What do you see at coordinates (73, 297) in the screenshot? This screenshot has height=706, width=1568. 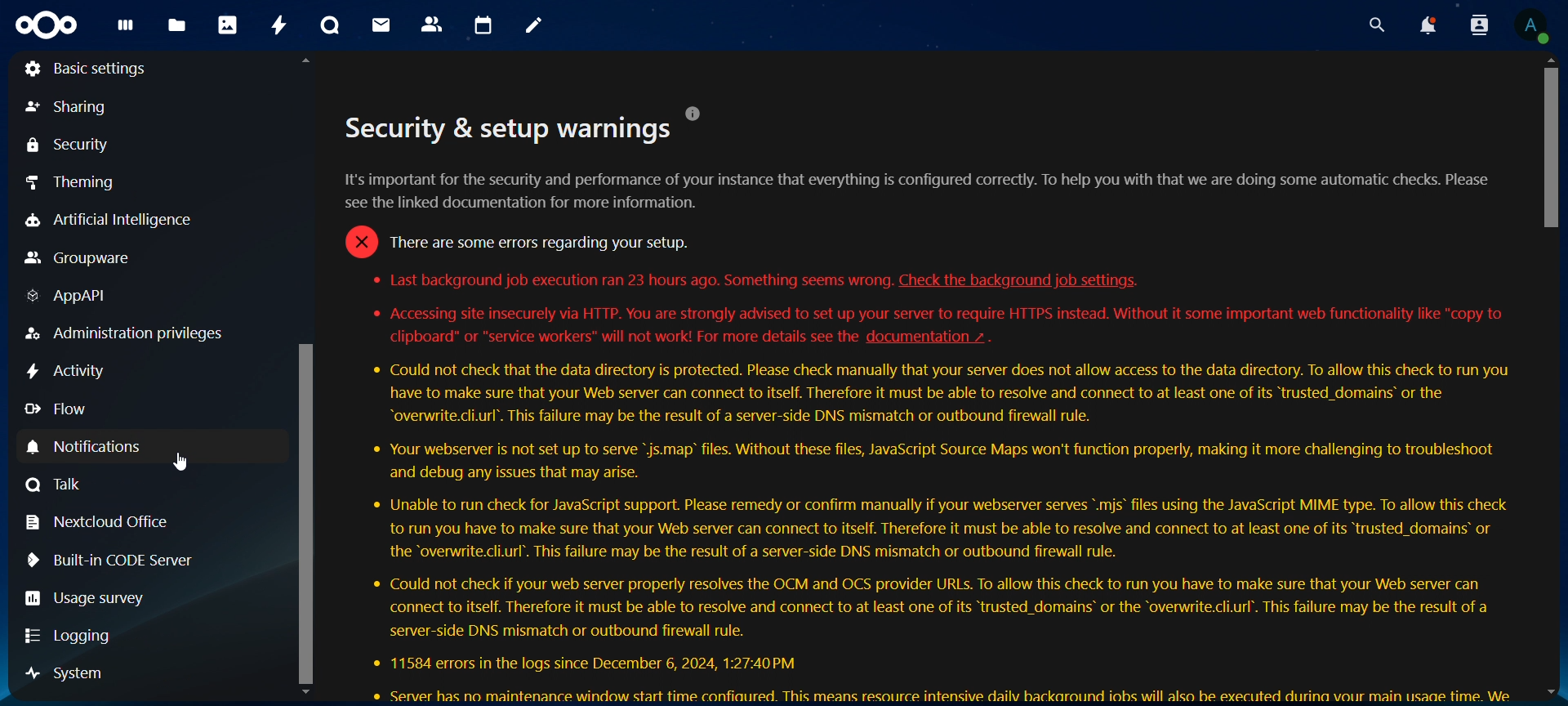 I see `AppAPI` at bounding box center [73, 297].